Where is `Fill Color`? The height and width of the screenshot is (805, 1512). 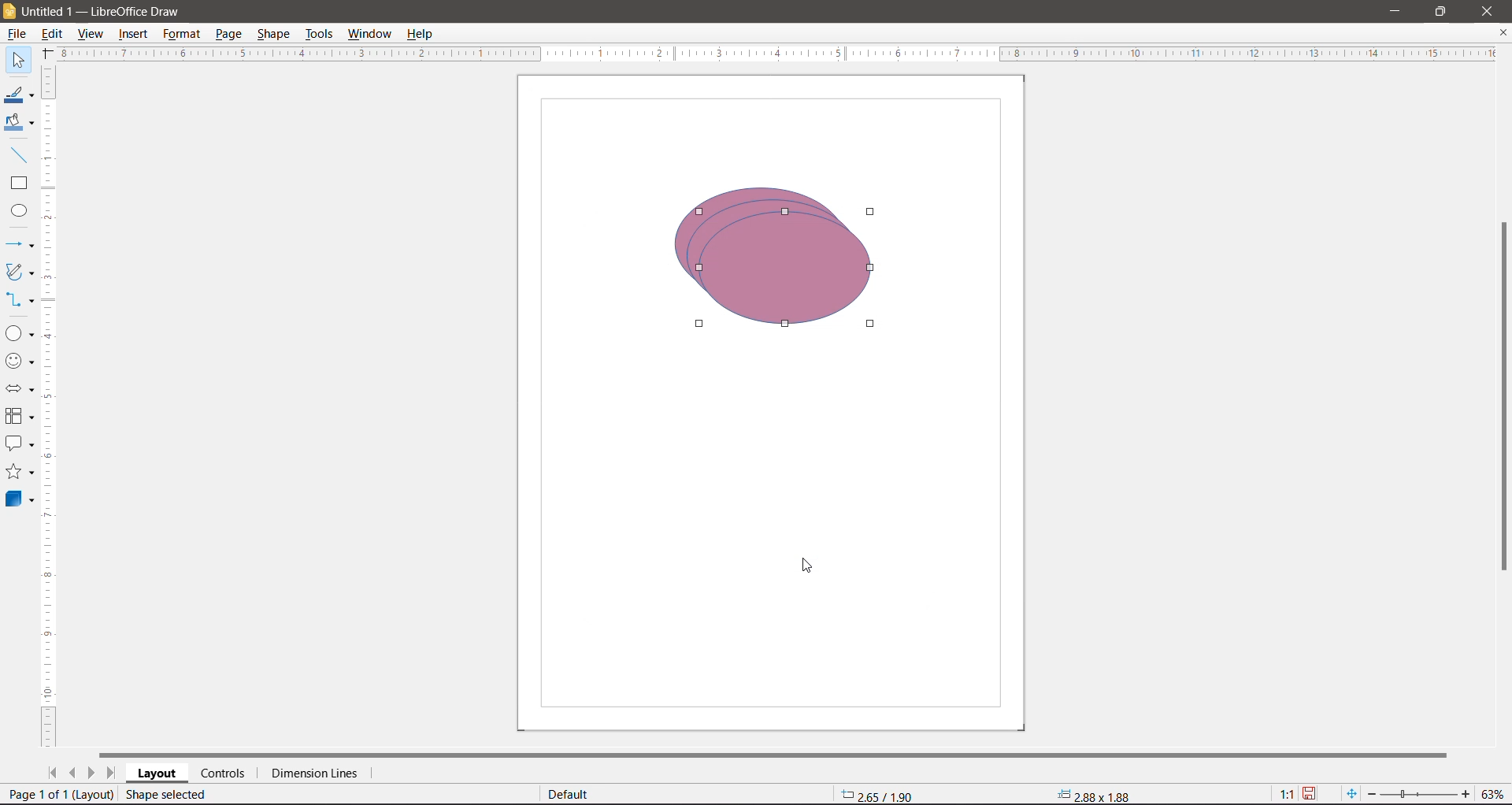
Fill Color is located at coordinates (19, 124).